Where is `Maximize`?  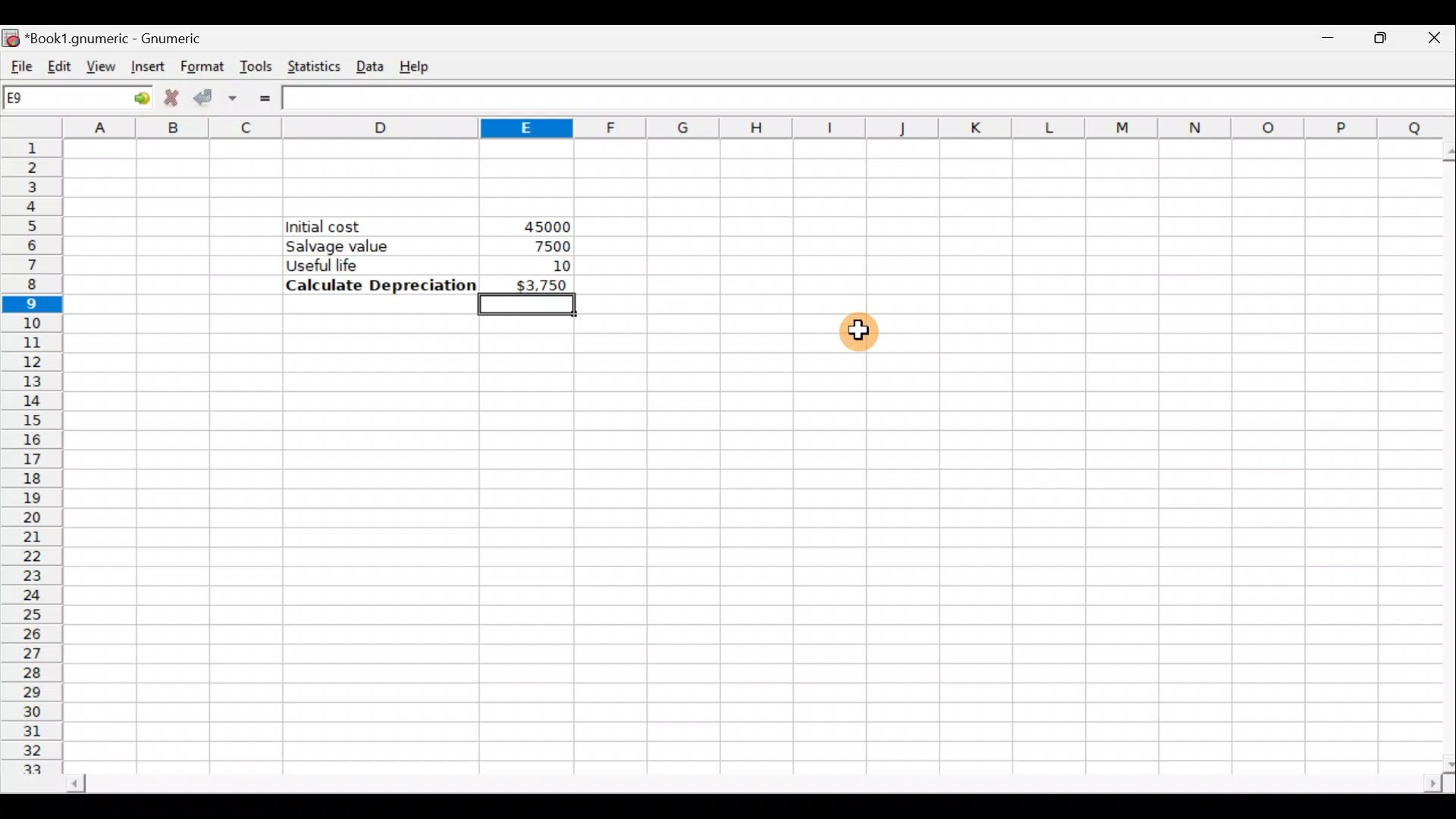 Maximize is located at coordinates (1373, 41).